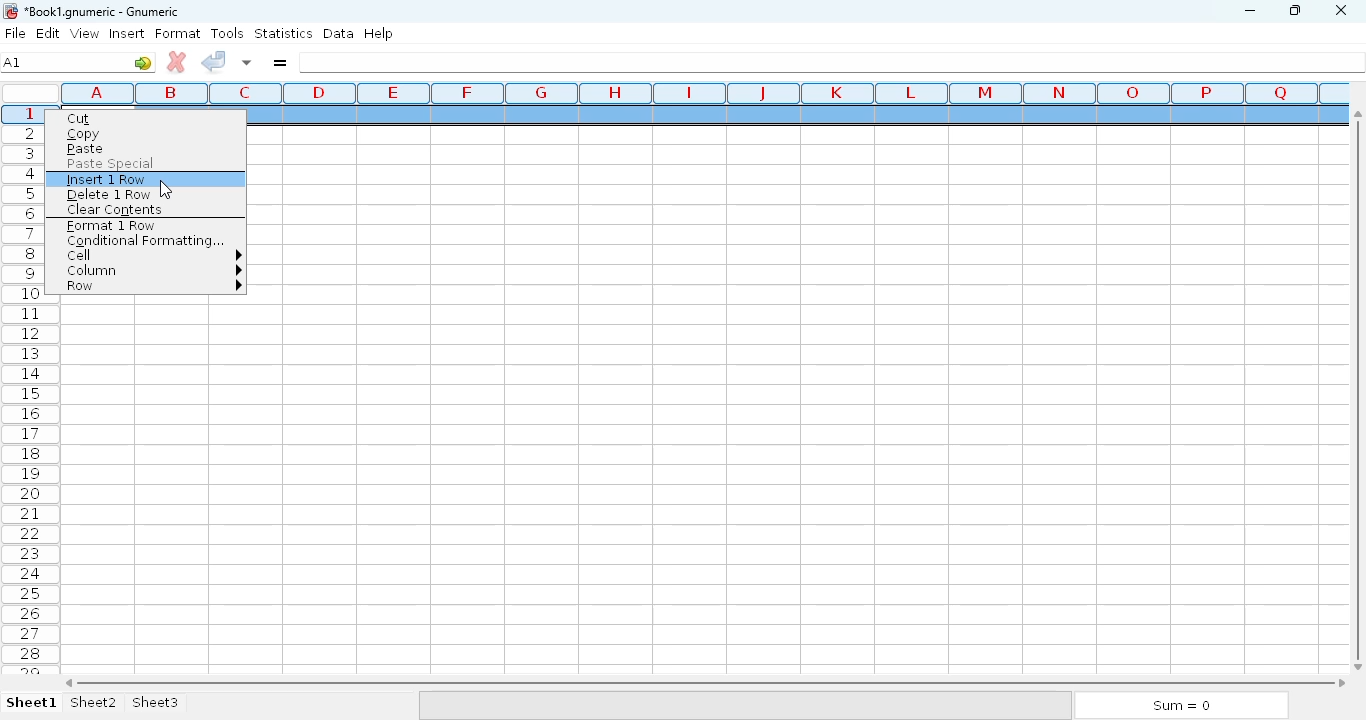  I want to click on vertical scroll bar, so click(1361, 389).